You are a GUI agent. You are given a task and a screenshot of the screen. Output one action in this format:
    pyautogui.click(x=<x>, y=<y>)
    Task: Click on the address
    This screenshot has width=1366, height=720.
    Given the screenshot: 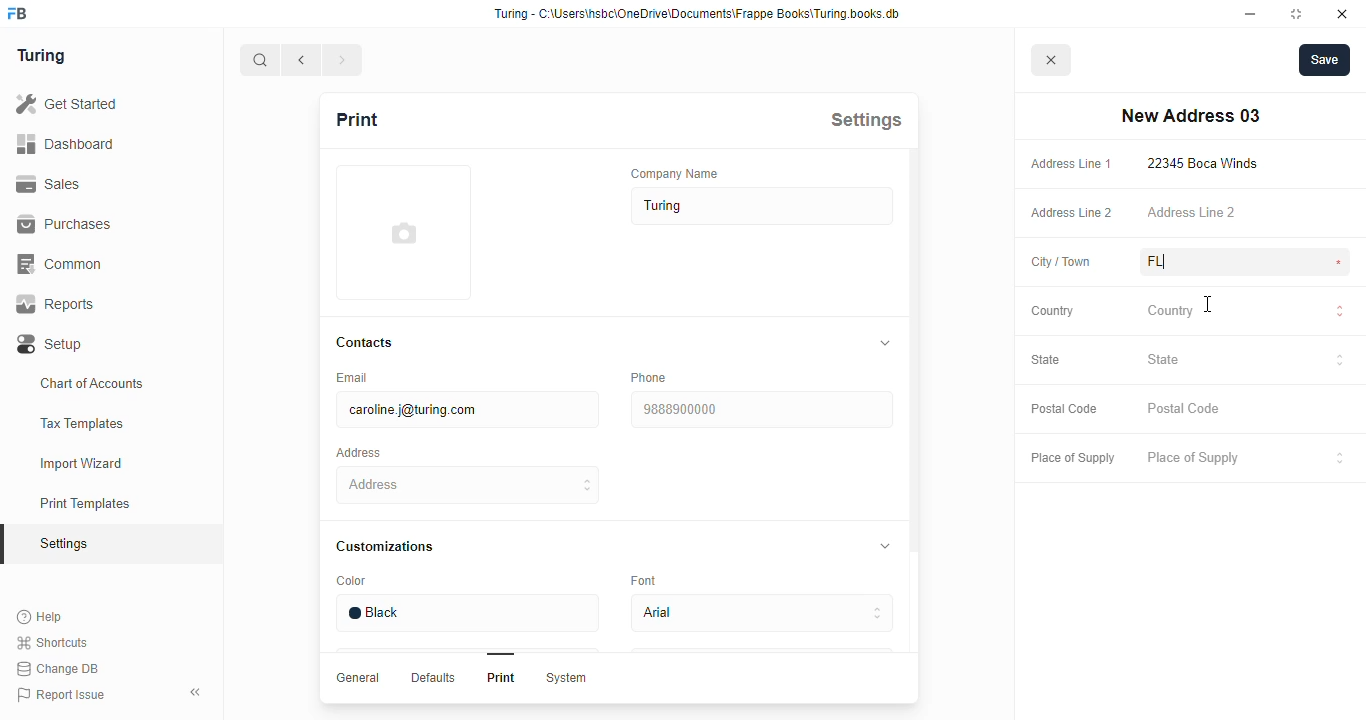 What is the action you would take?
    pyautogui.click(x=358, y=453)
    